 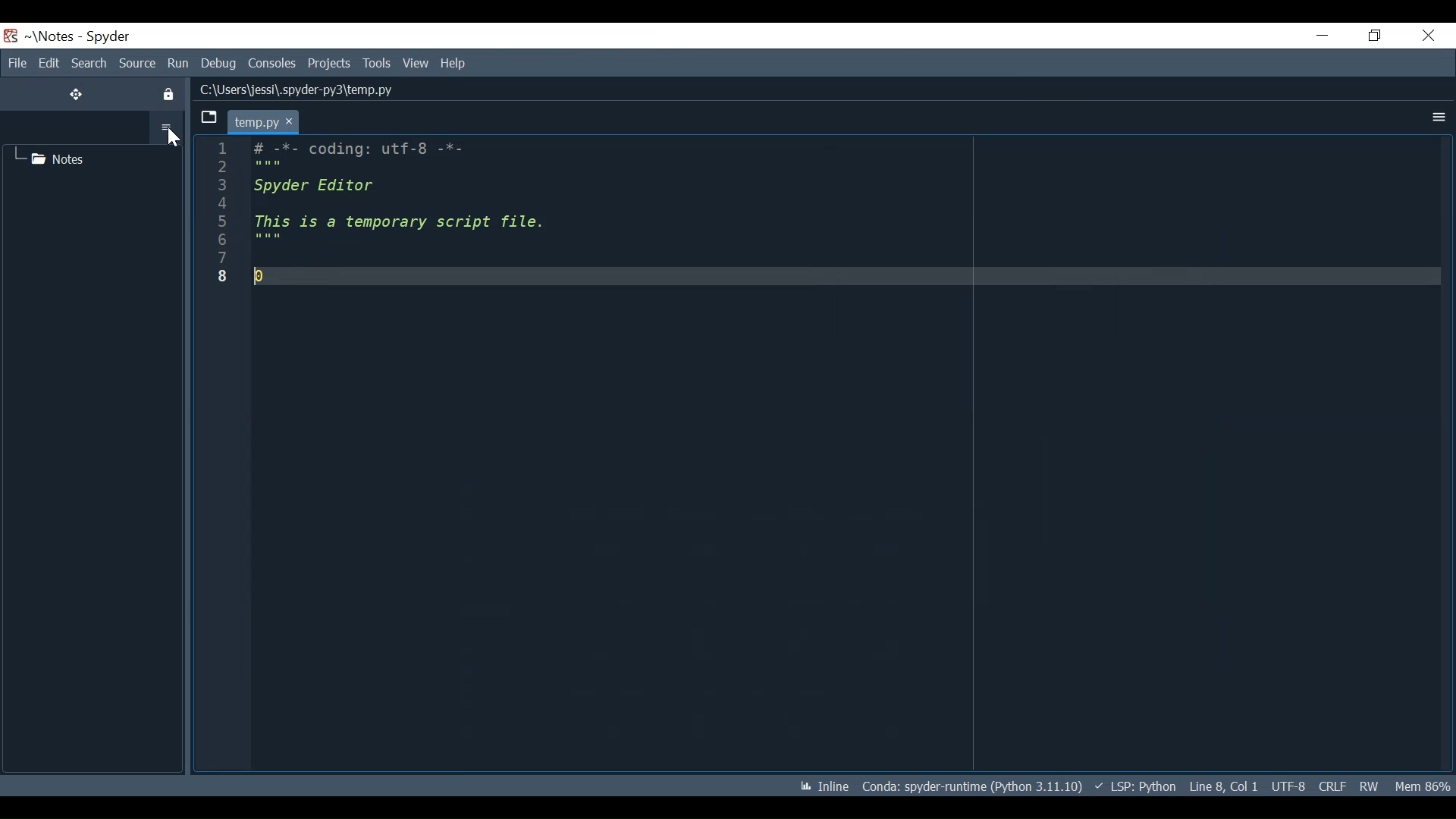 I want to click on Move, so click(x=77, y=94).